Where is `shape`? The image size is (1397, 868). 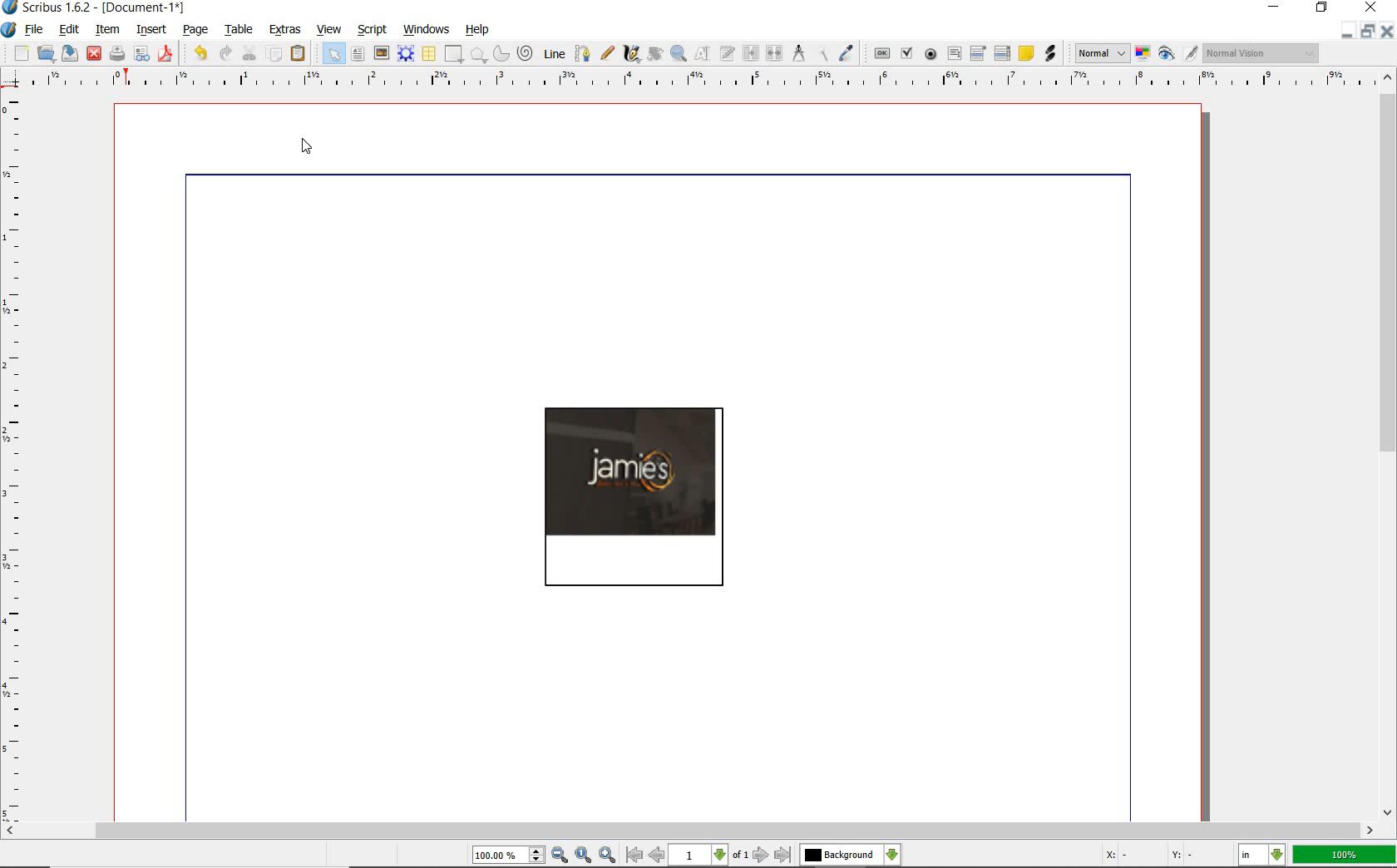
shape is located at coordinates (455, 52).